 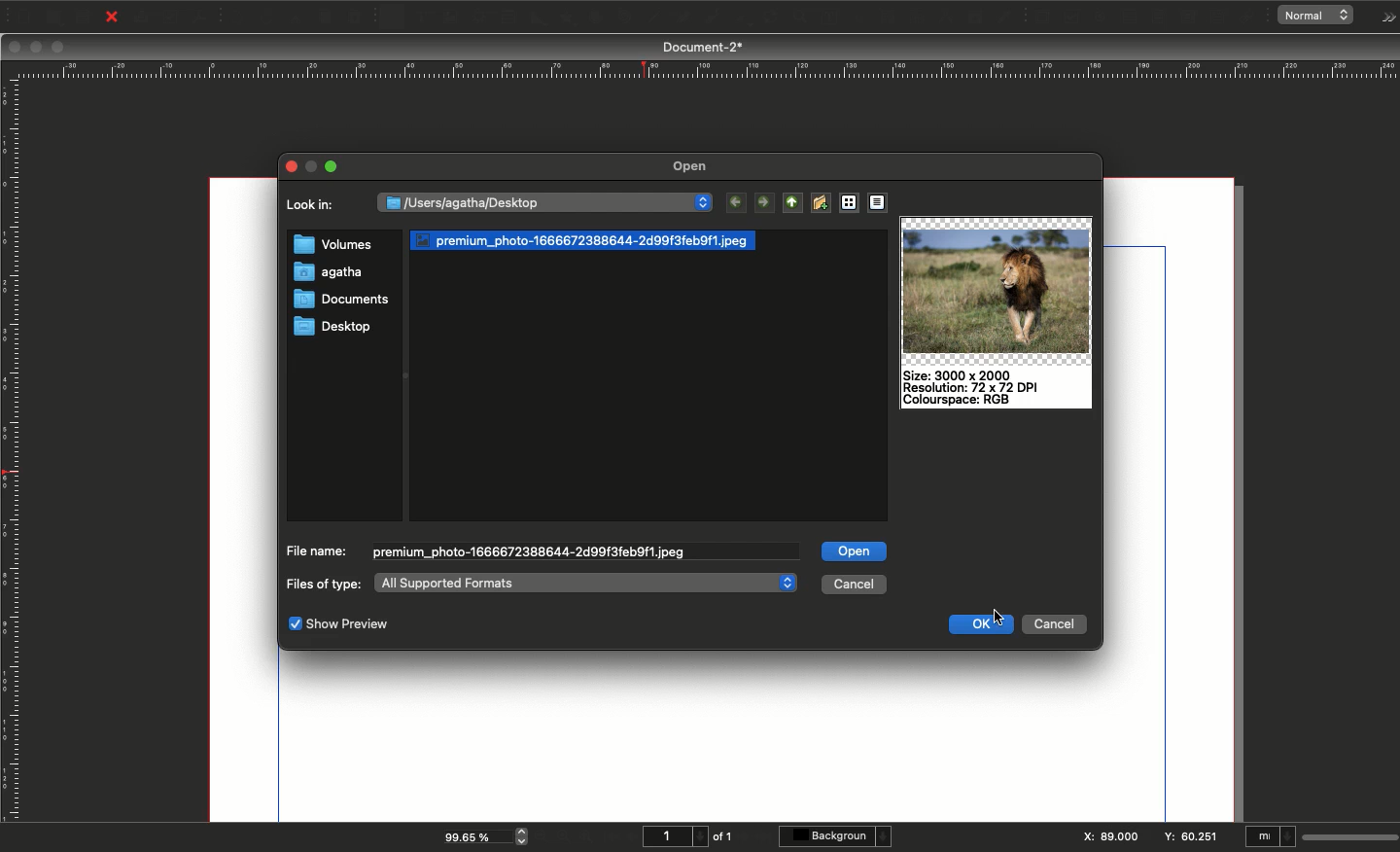 I want to click on Documents, so click(x=334, y=302).